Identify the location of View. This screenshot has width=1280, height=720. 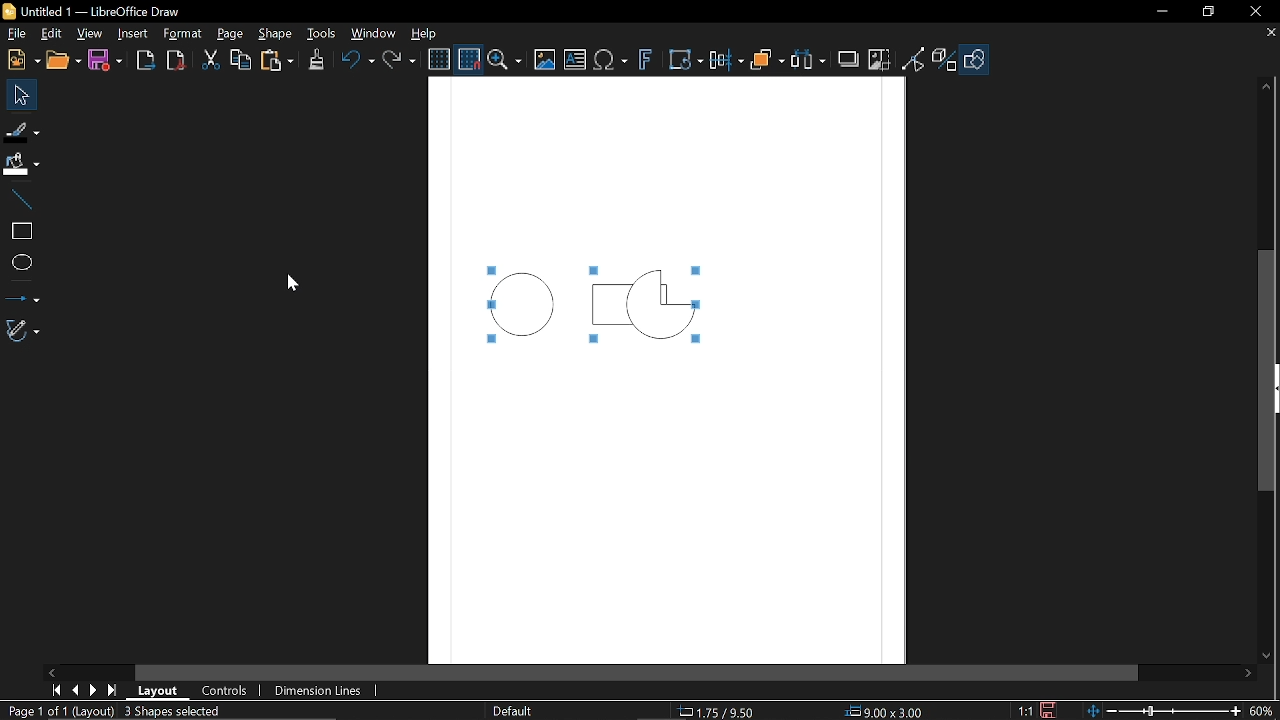
(87, 35).